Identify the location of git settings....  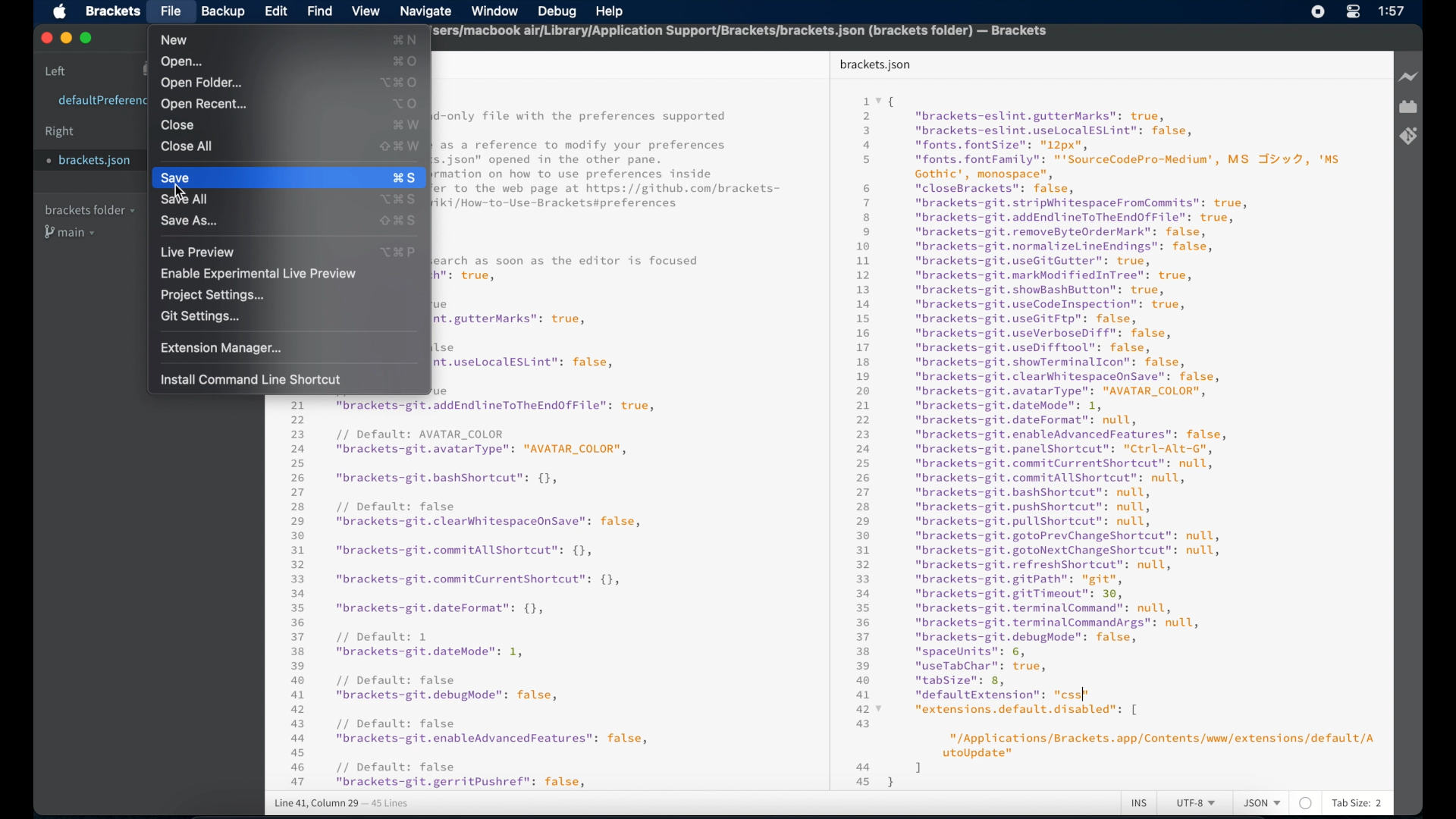
(202, 317).